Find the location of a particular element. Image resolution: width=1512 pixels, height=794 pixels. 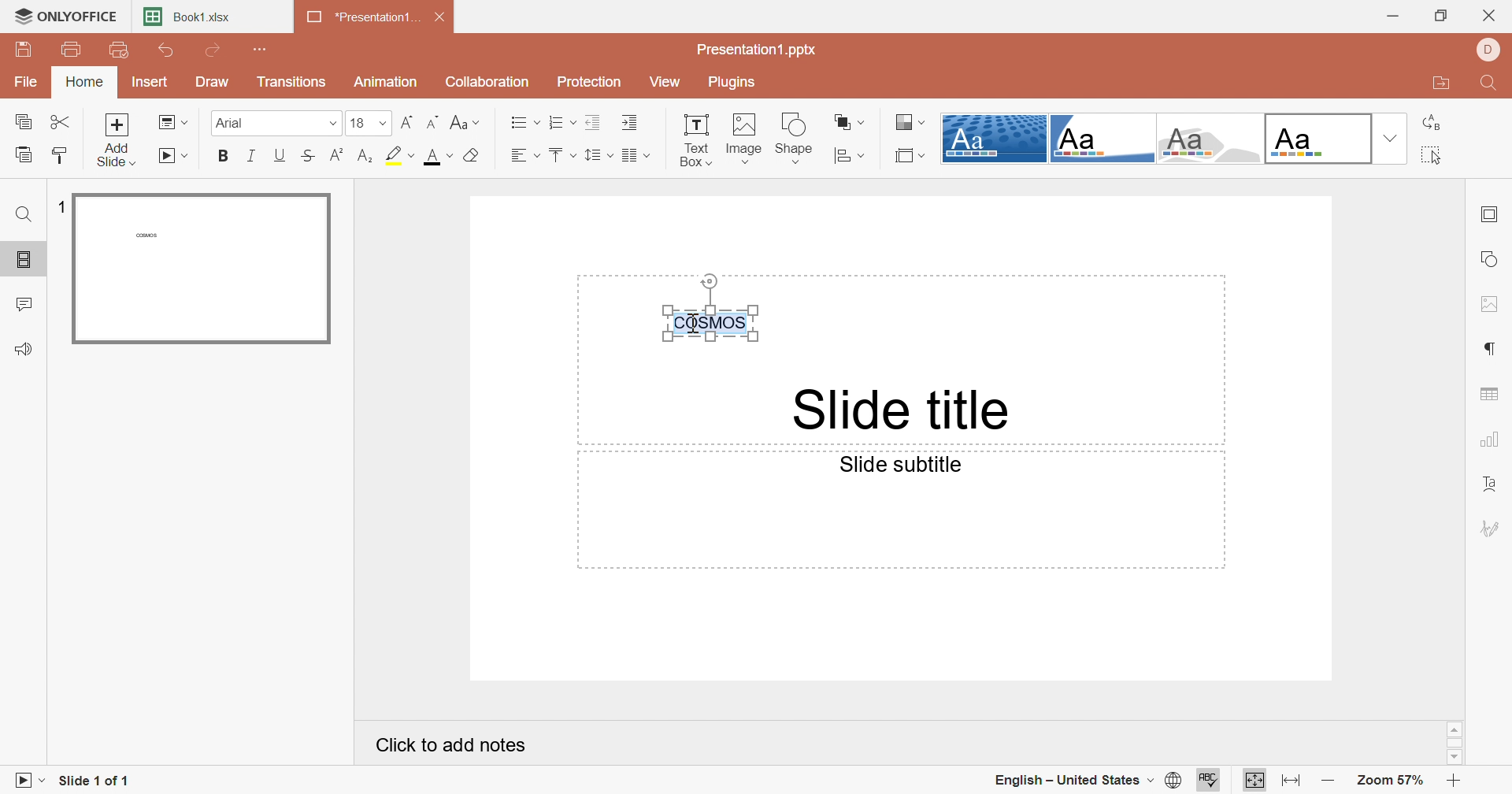

Start Slideshow is located at coordinates (33, 781).